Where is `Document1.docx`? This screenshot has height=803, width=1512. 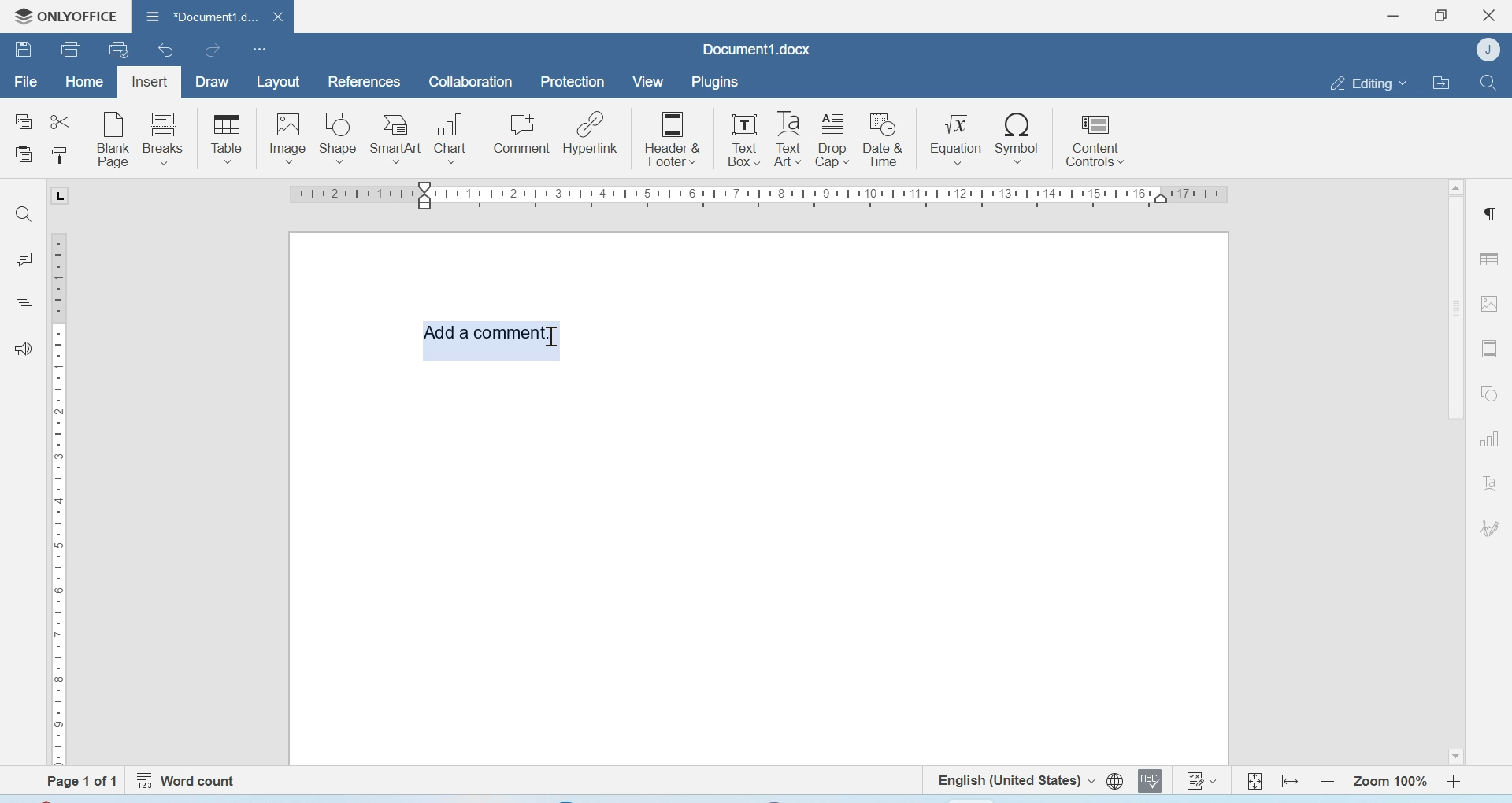
Document1.docx is located at coordinates (757, 49).